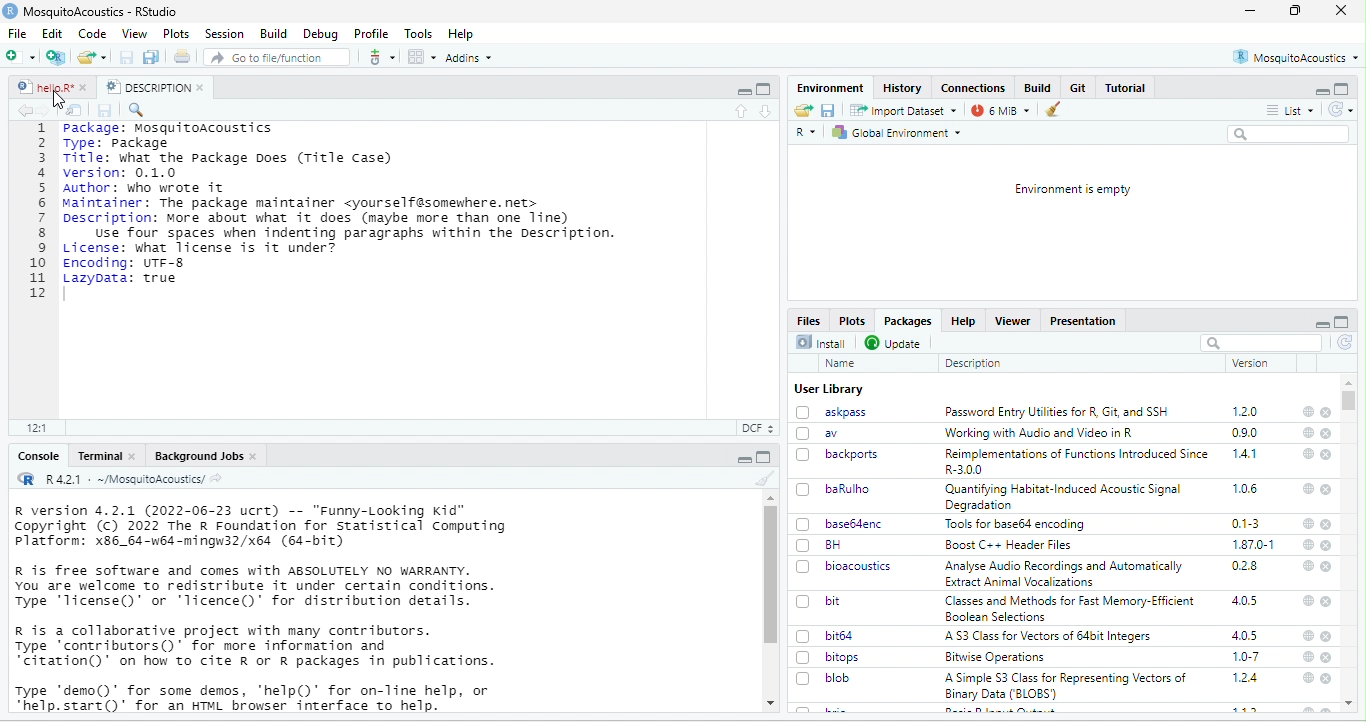  Describe the element at coordinates (1345, 343) in the screenshot. I see `refresh` at that location.